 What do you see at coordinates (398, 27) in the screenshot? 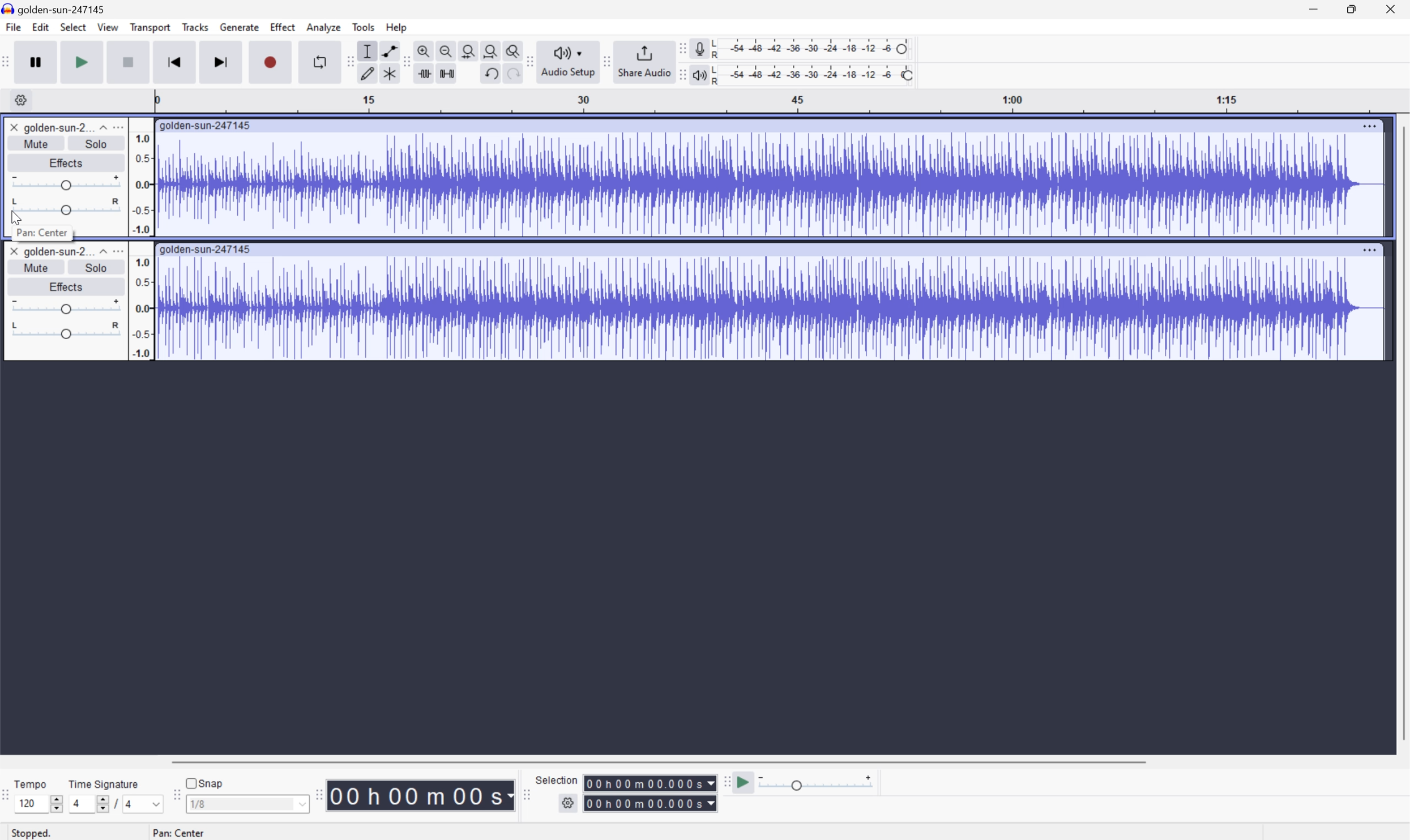
I see `Help` at bounding box center [398, 27].